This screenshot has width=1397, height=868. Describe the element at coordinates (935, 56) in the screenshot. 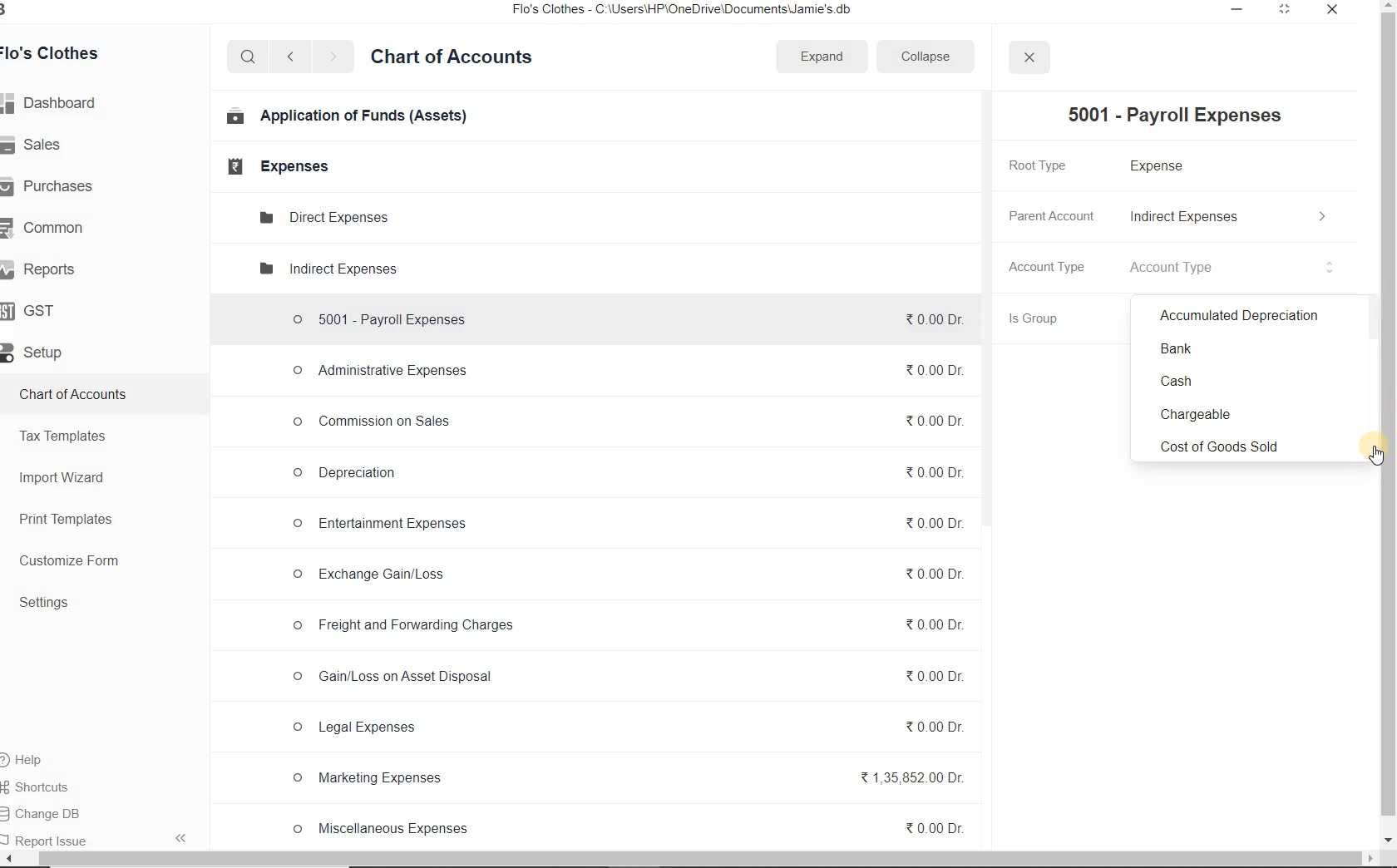

I see `Collapse` at that location.